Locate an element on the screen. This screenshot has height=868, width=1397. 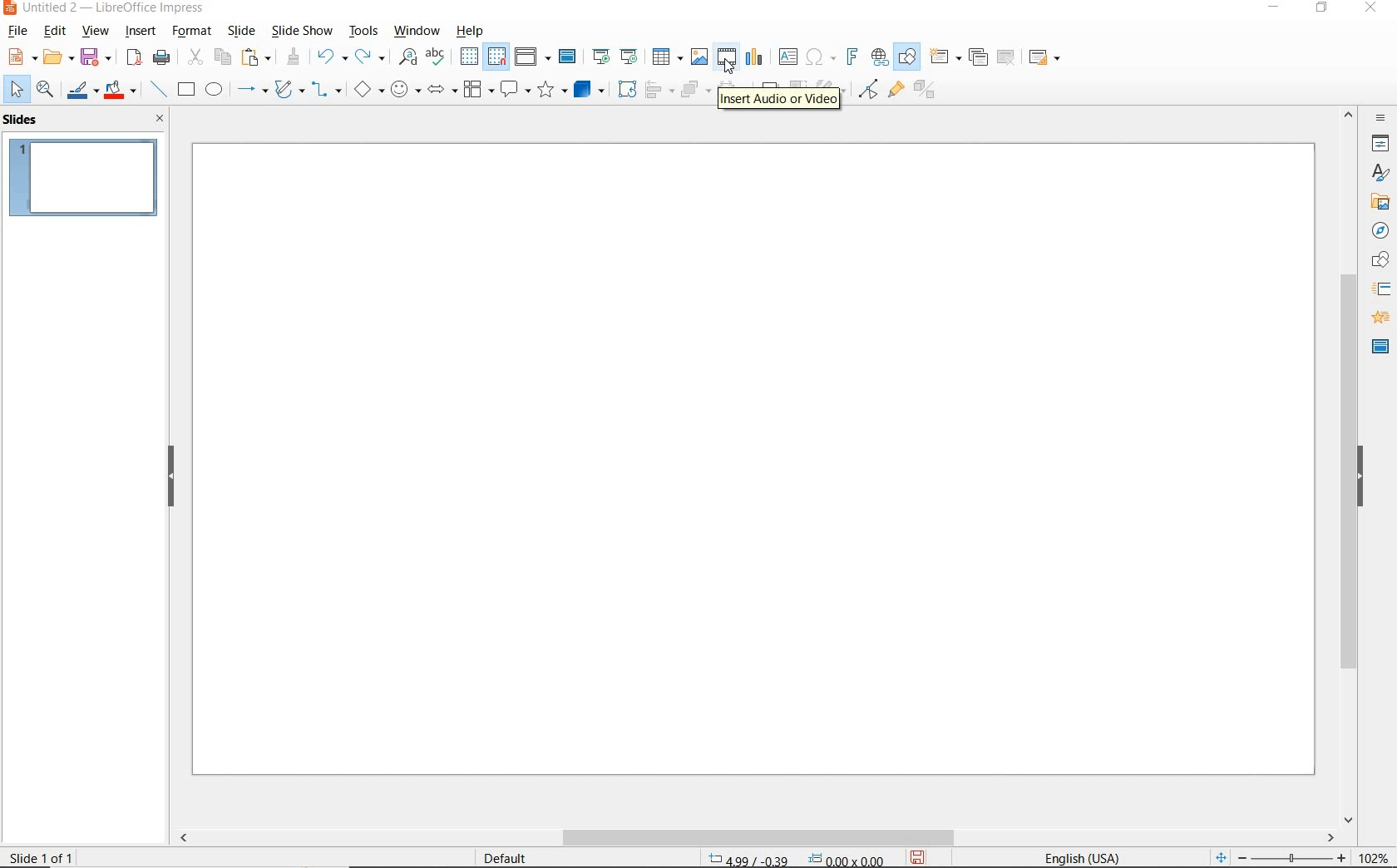
INSERT AUDIO OR VIDEO is located at coordinates (728, 57).